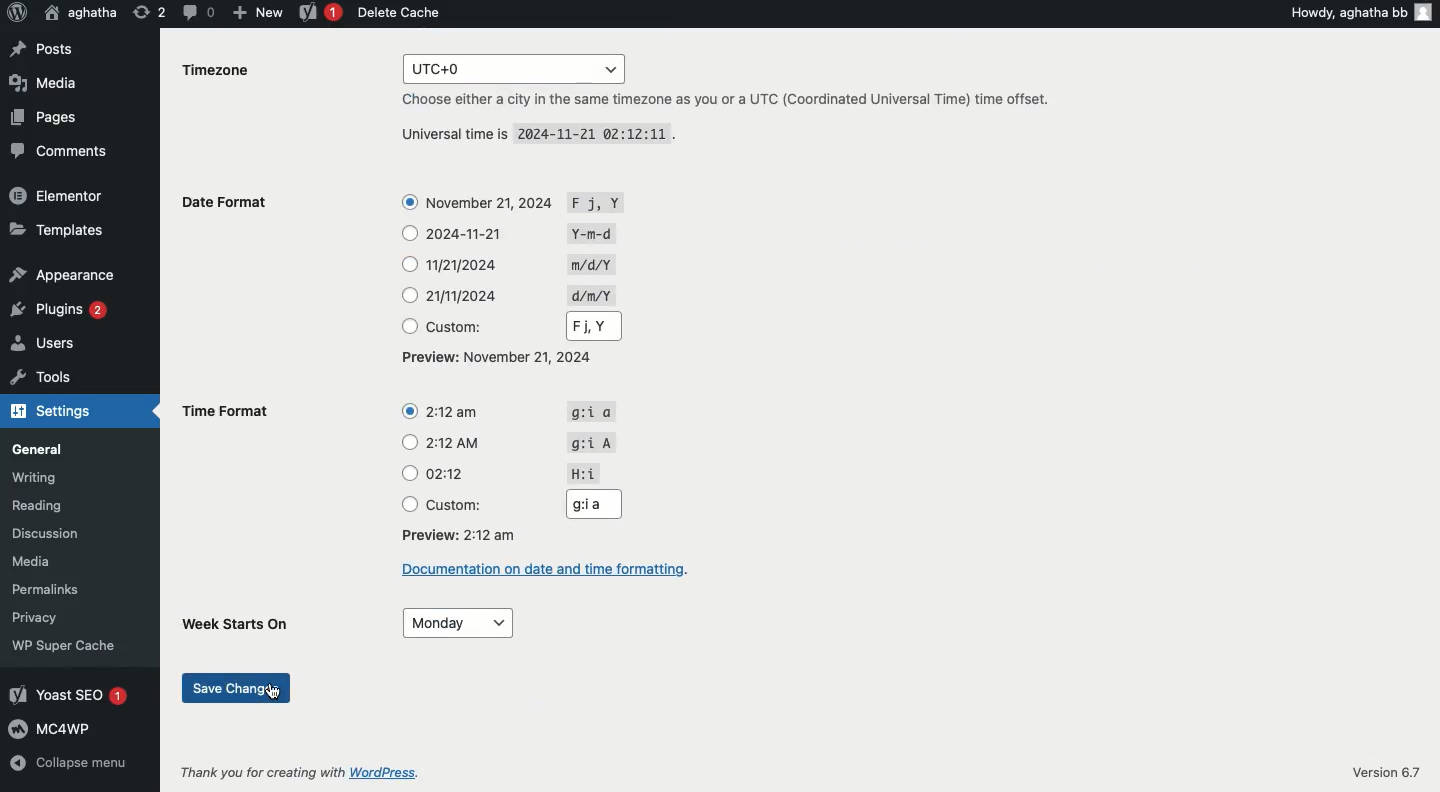 The width and height of the screenshot is (1440, 792). I want to click on Timezone, so click(218, 71).